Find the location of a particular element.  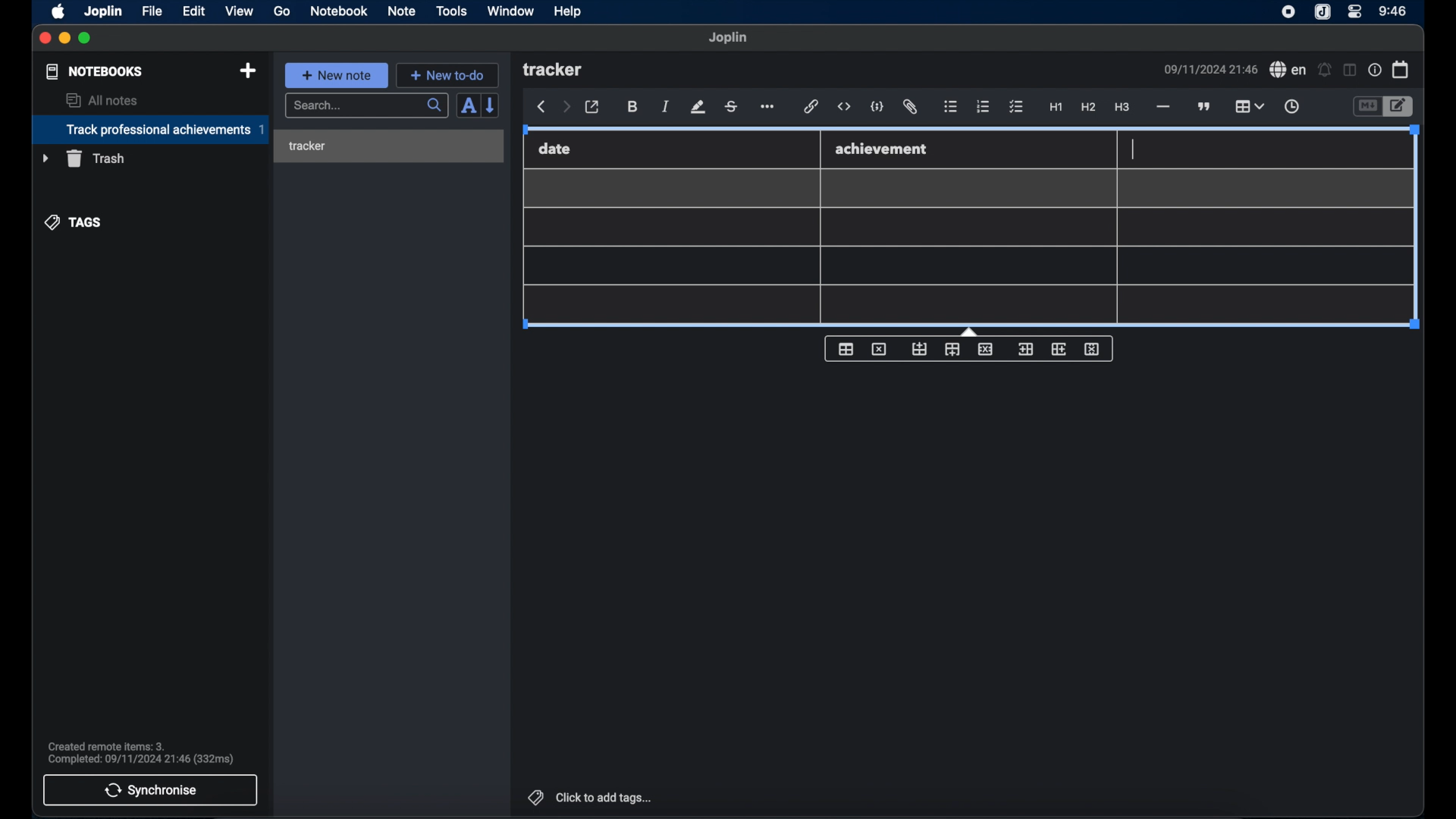

back is located at coordinates (541, 107).